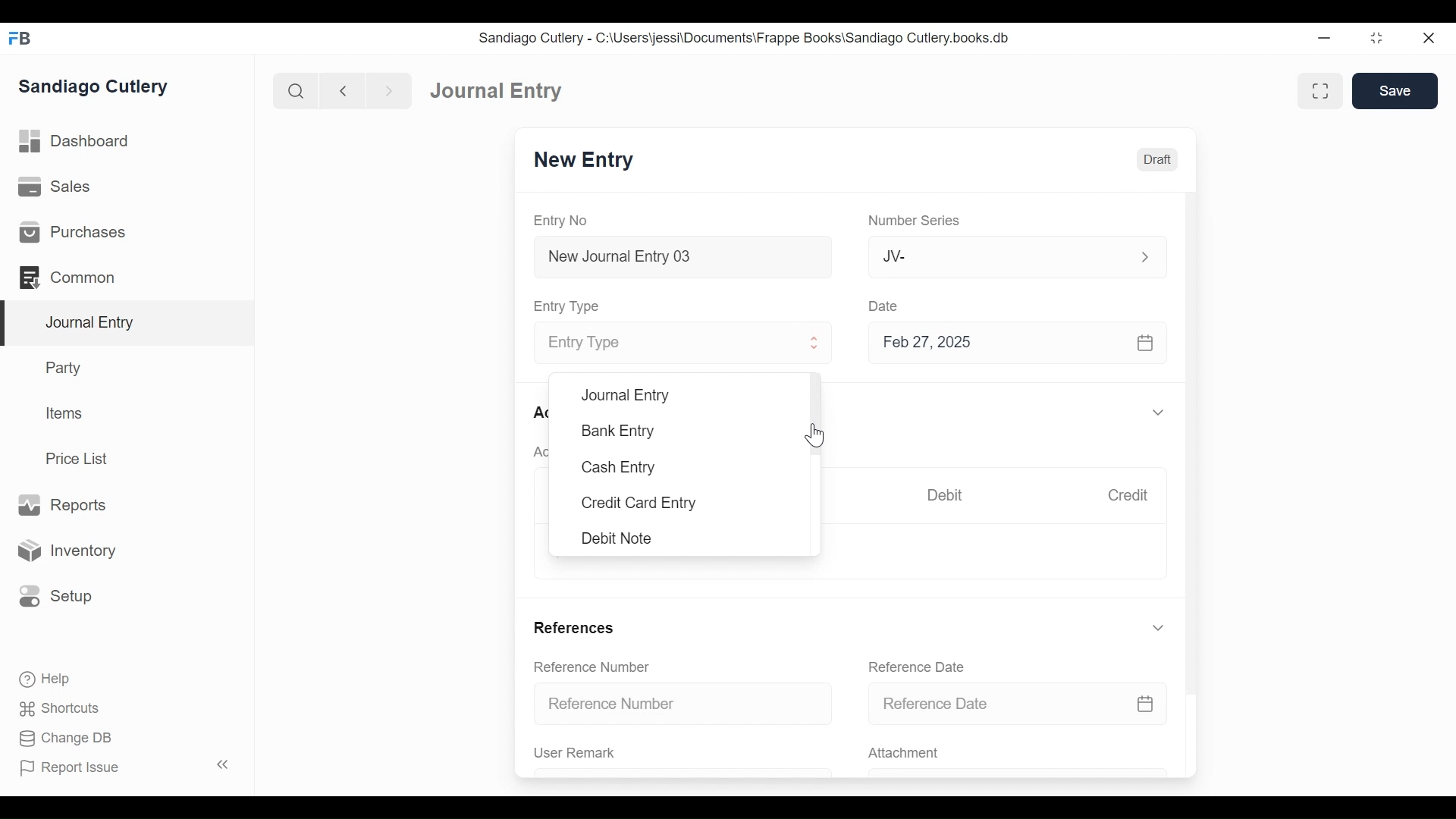 The width and height of the screenshot is (1456, 819). I want to click on Reference Date, so click(1029, 703).